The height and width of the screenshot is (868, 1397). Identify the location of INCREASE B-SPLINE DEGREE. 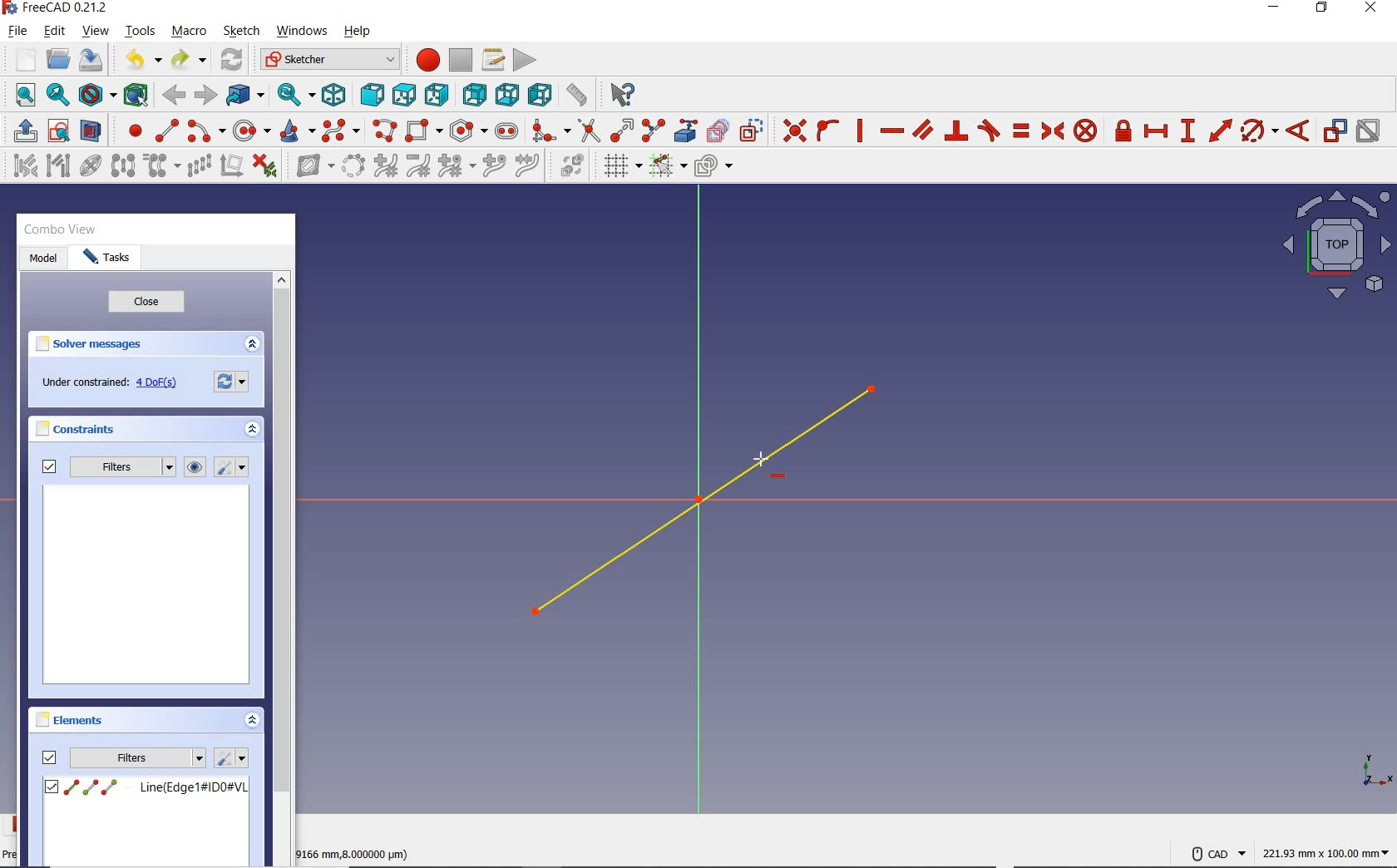
(384, 165).